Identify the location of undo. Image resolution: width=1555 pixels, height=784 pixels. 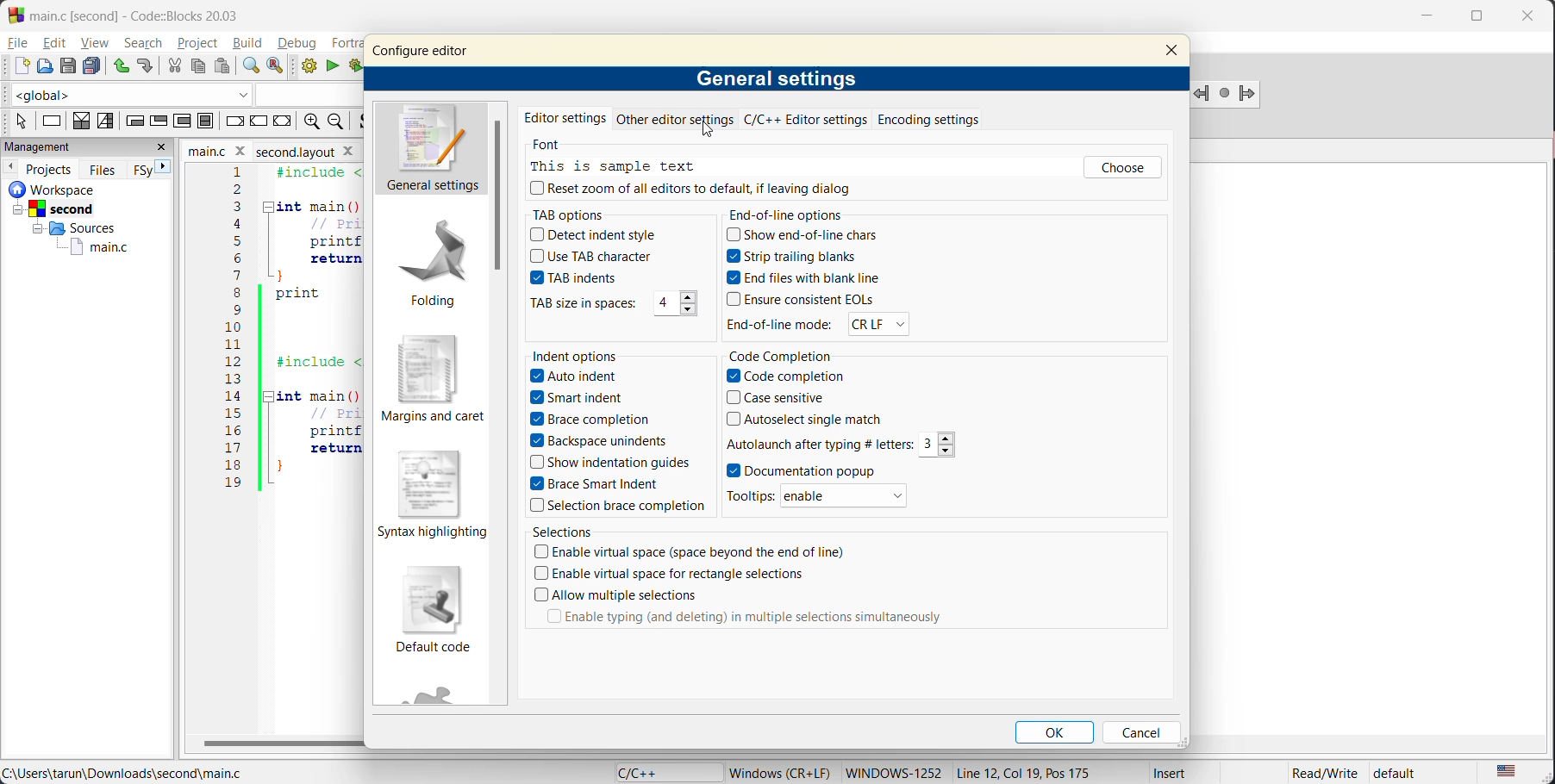
(118, 65).